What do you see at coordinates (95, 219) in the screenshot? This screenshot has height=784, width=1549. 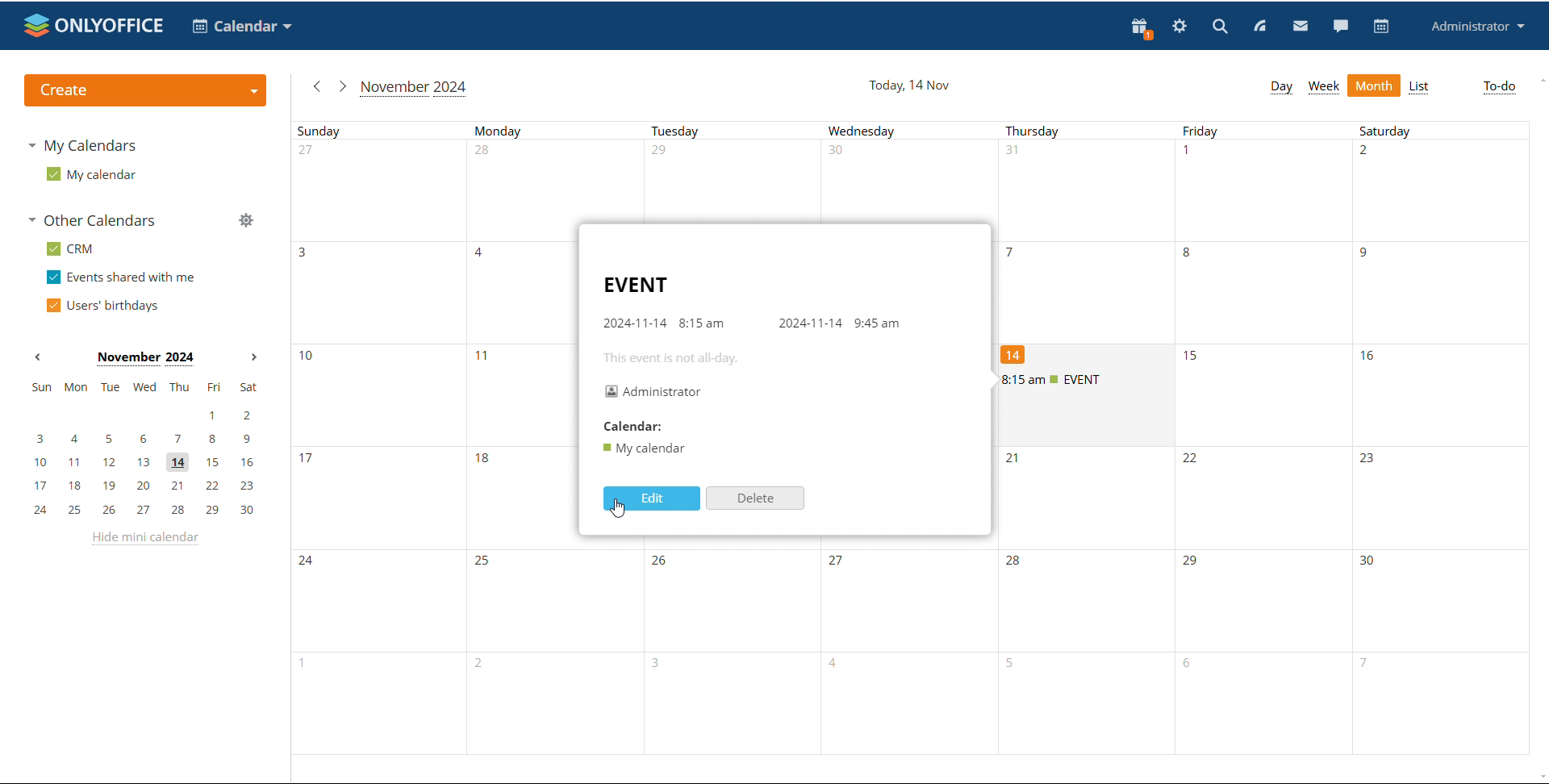 I see `other calendars` at bounding box center [95, 219].